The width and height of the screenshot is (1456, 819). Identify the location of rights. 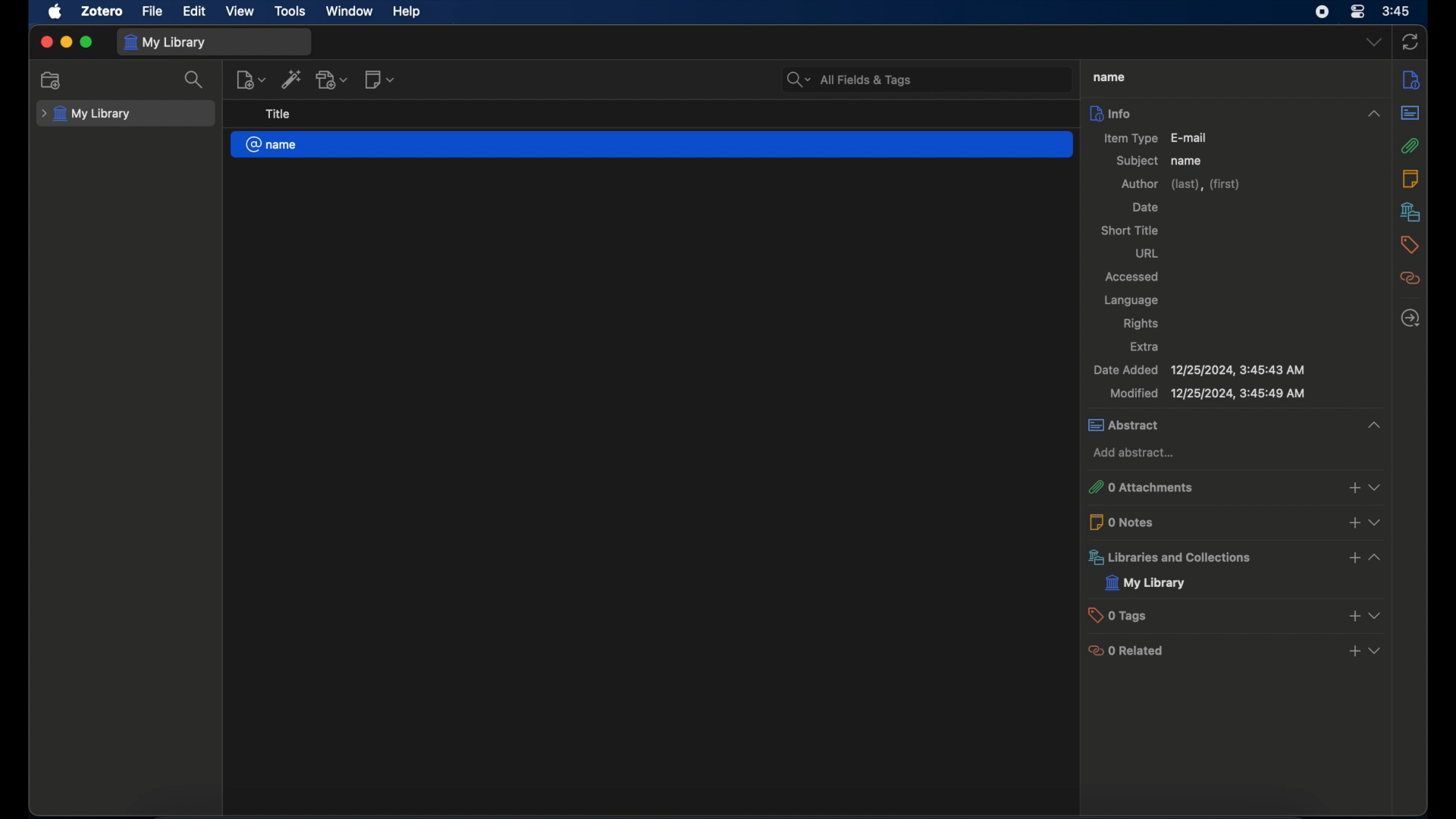
(1141, 324).